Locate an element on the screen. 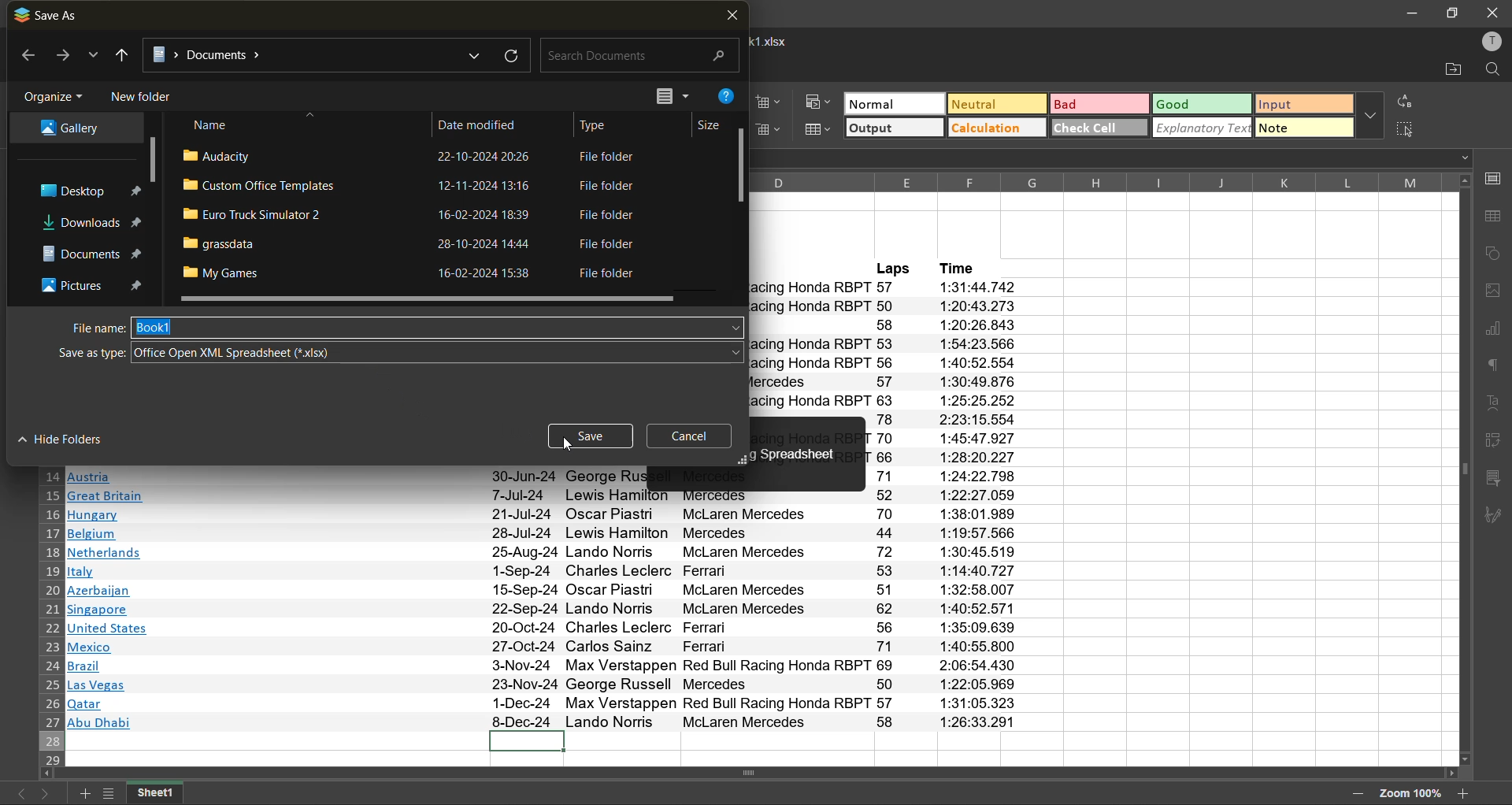 The image size is (1512, 805). format as table is located at coordinates (819, 132).